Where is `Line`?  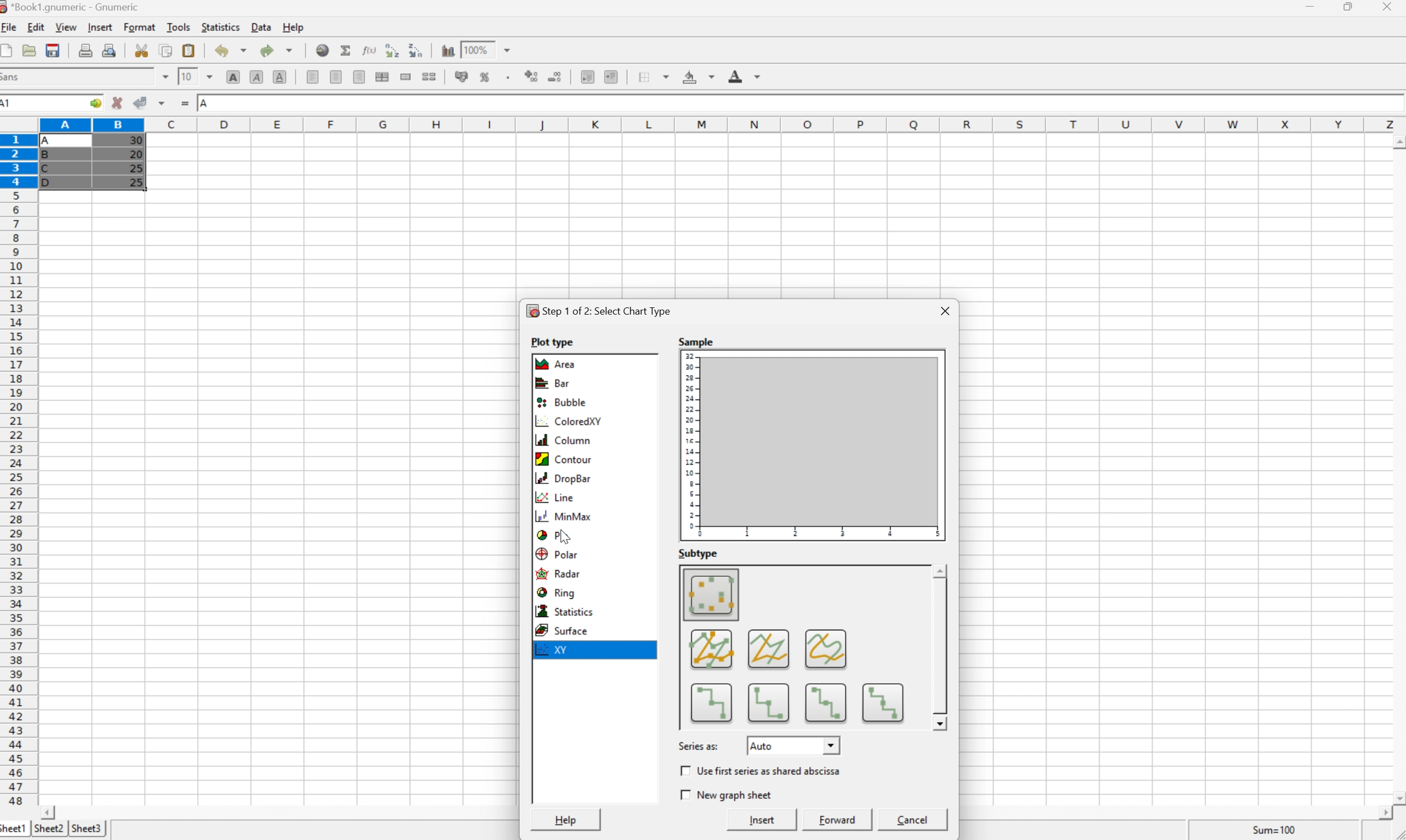 Line is located at coordinates (557, 498).